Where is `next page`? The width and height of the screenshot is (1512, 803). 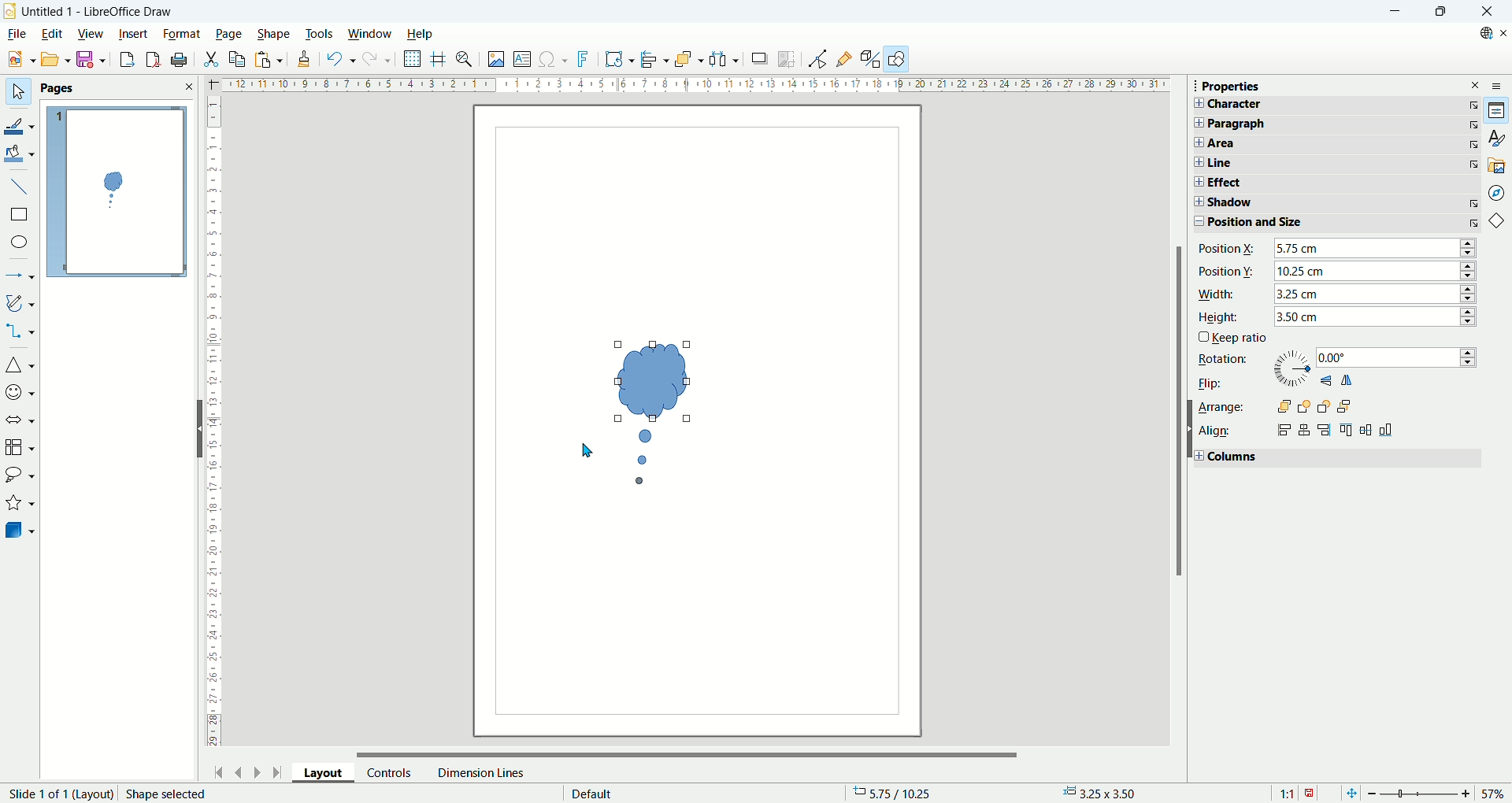
next page is located at coordinates (254, 771).